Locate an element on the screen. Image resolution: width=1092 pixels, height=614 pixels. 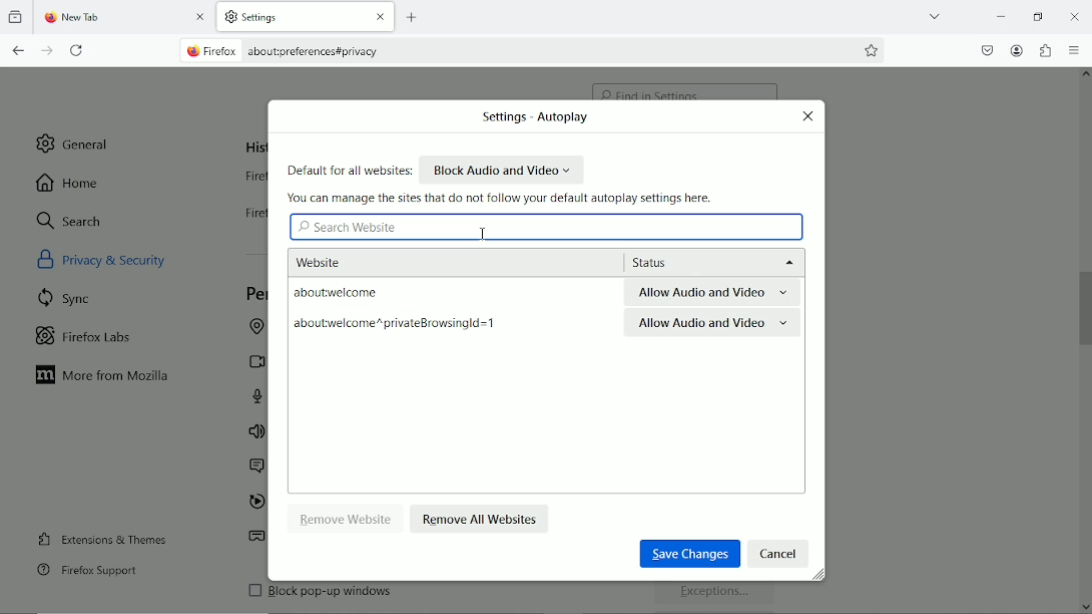
more from mozilla is located at coordinates (104, 376).